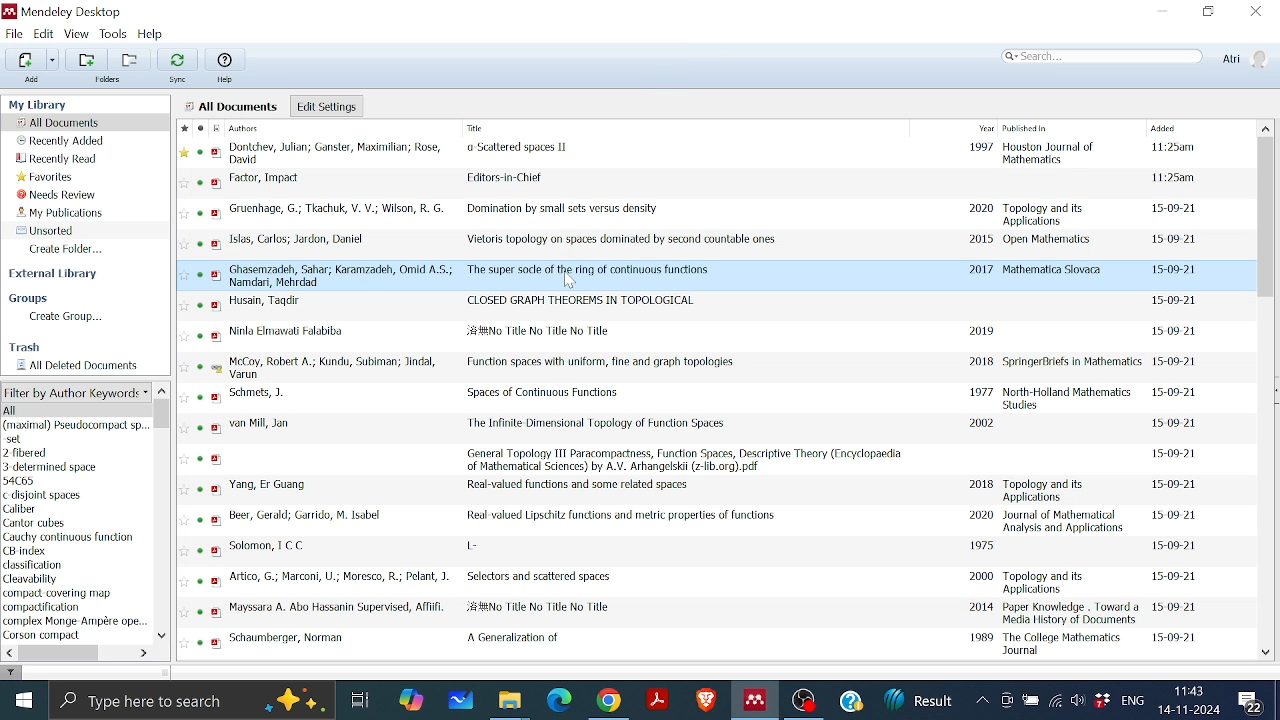 The image size is (1280, 720). What do you see at coordinates (803, 699) in the screenshot?
I see `OBS studio` at bounding box center [803, 699].